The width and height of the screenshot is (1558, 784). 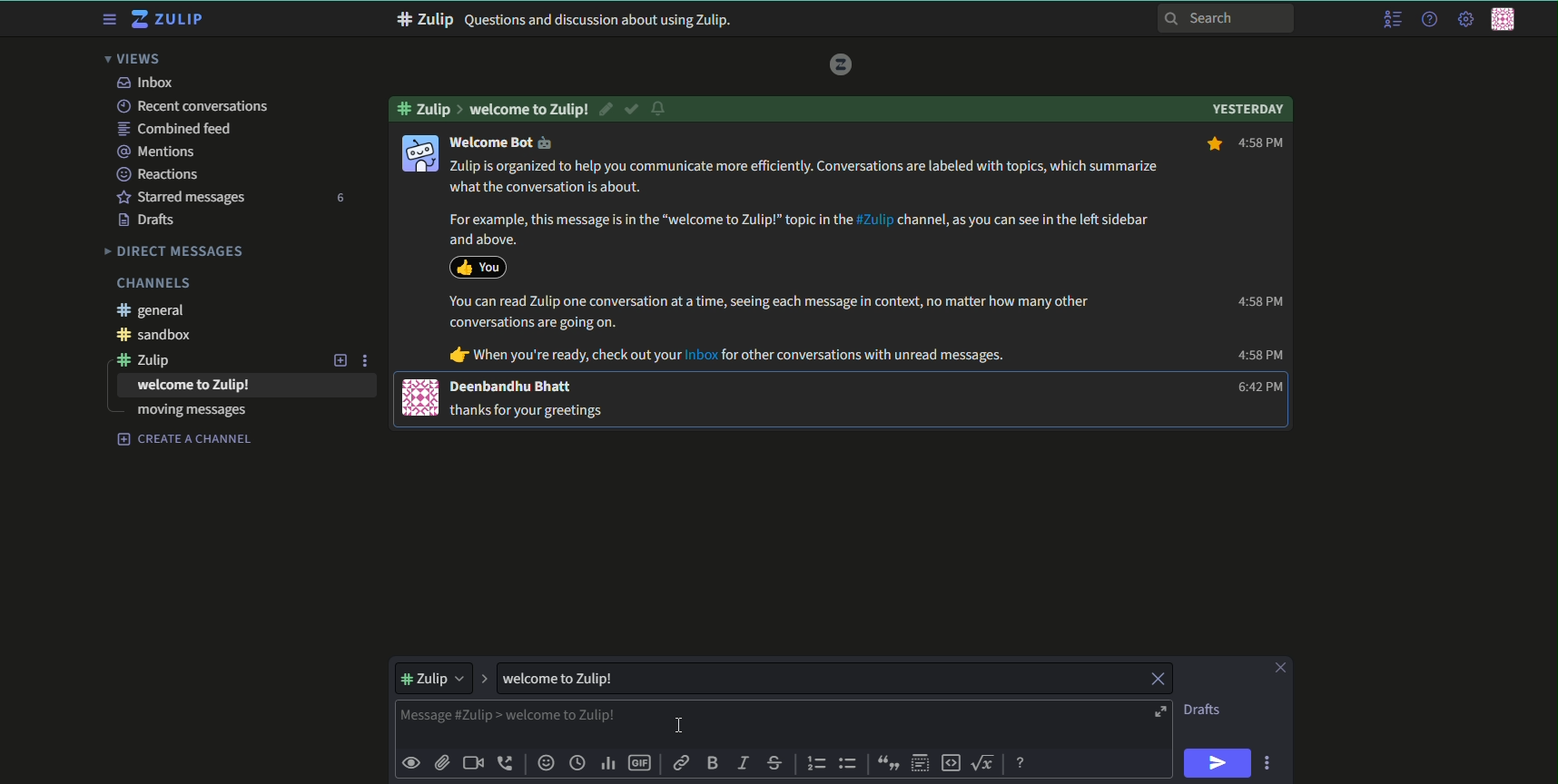 What do you see at coordinates (529, 109) in the screenshot?
I see `Welcome to zulip!` at bounding box center [529, 109].